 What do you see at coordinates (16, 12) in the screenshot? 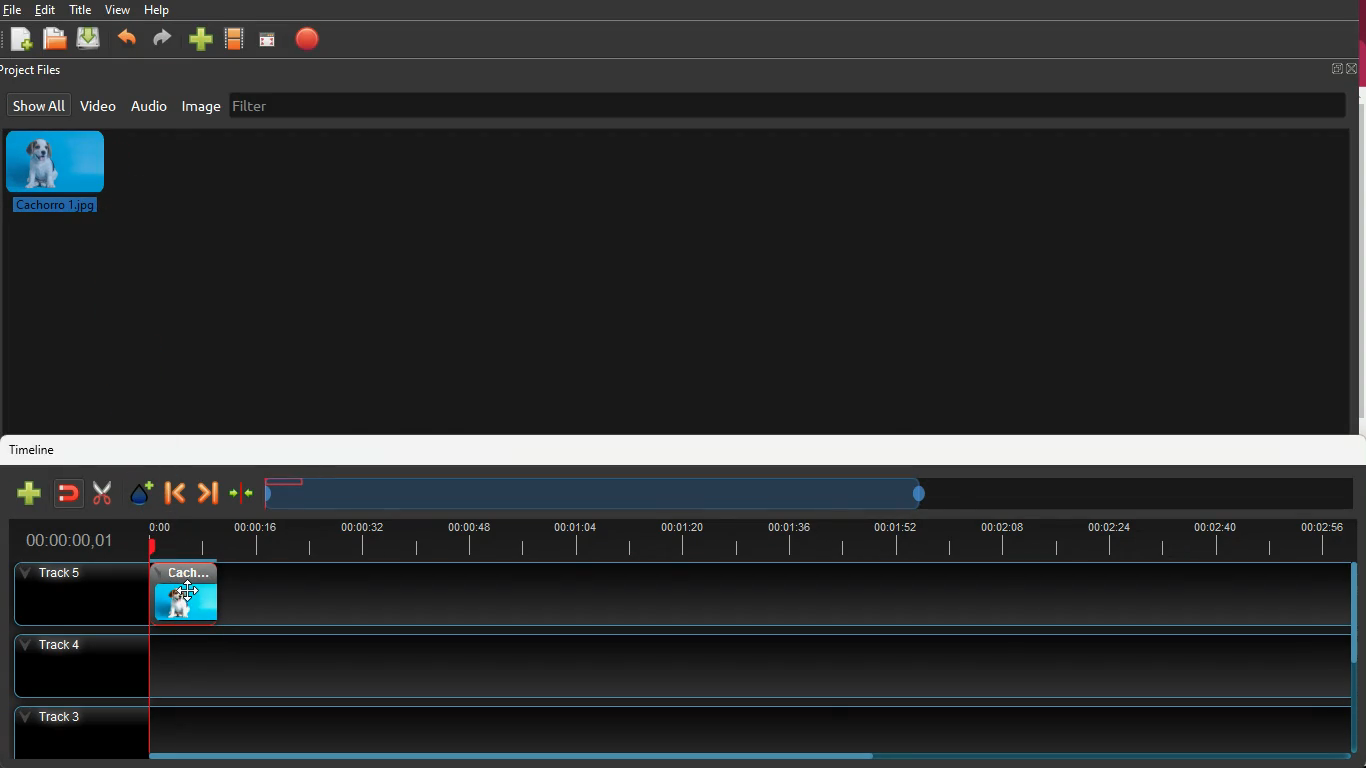
I see `` at bounding box center [16, 12].